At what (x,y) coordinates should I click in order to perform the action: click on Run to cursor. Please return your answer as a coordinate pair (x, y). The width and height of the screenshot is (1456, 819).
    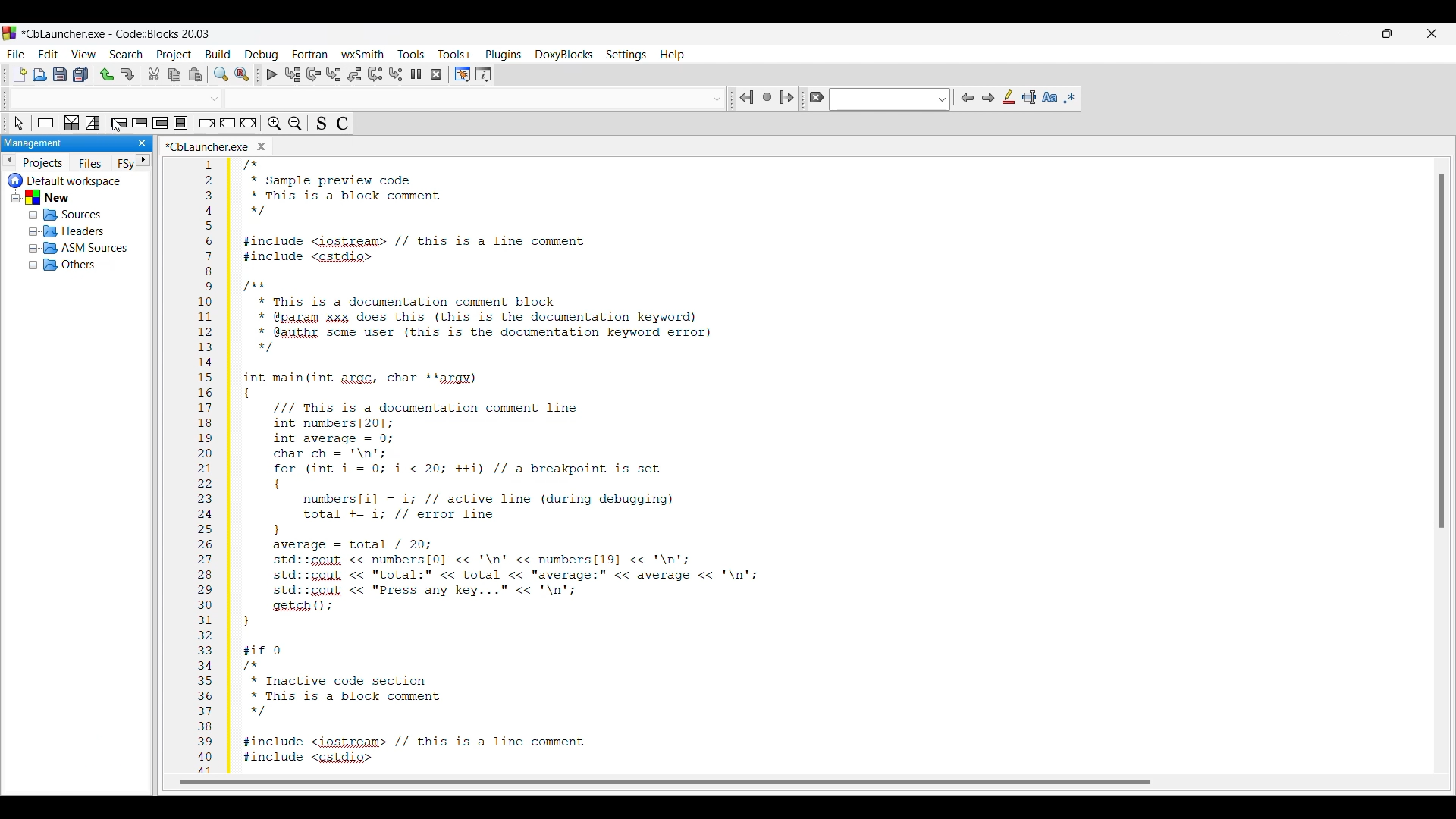
    Looking at the image, I should click on (293, 74).